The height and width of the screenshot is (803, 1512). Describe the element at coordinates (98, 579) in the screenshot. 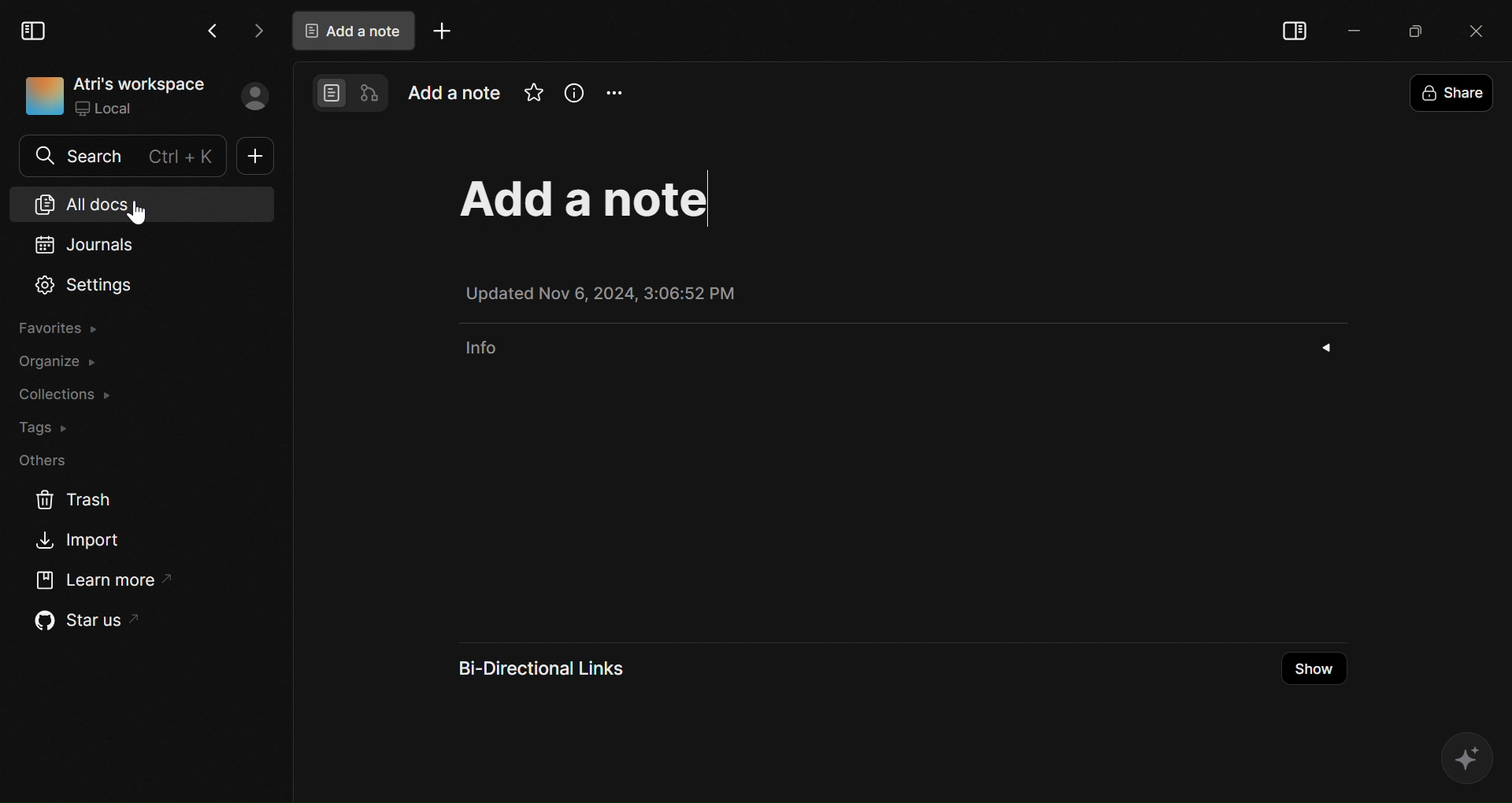

I see `Learn More` at that location.